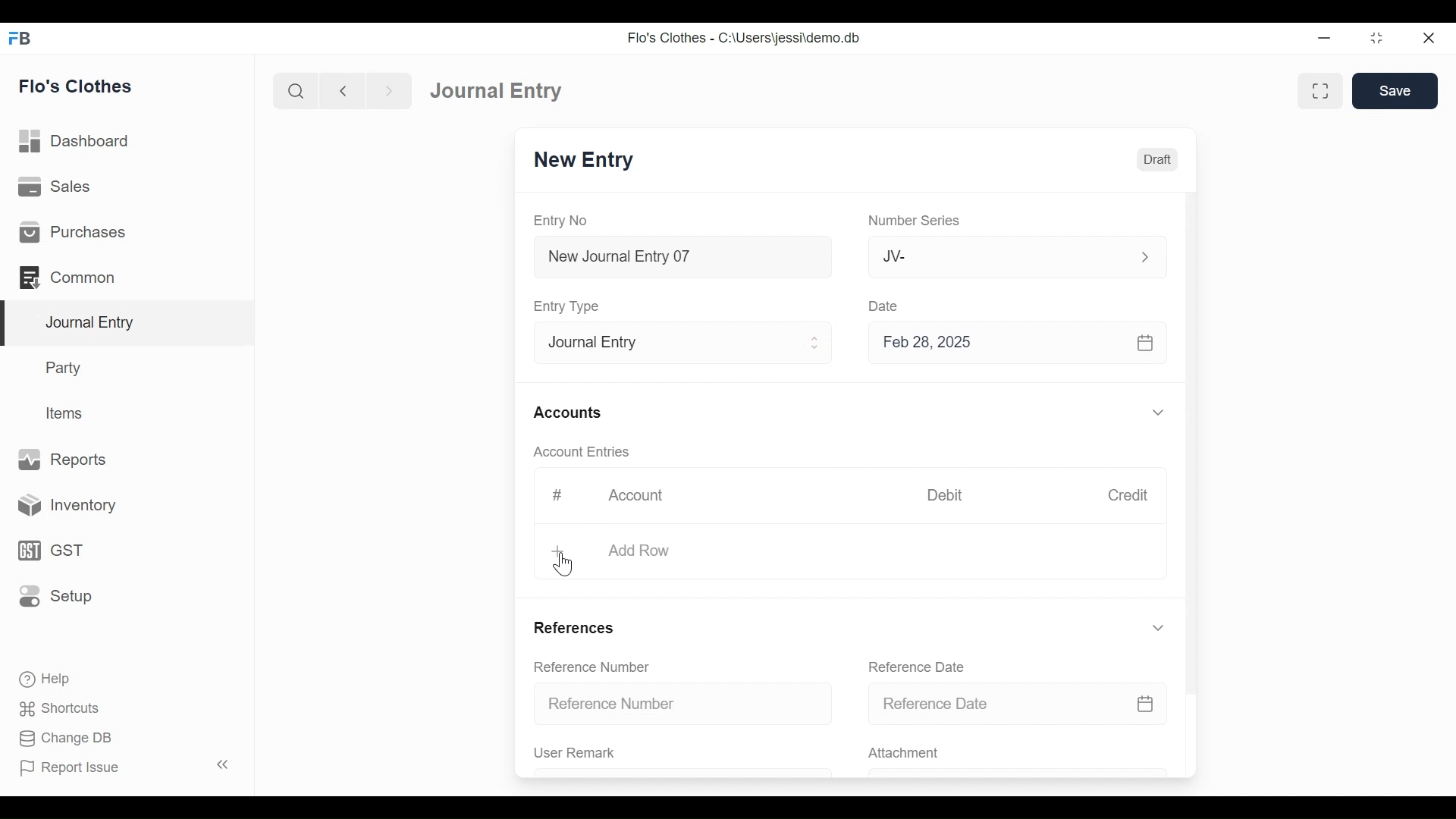  Describe the element at coordinates (64, 736) in the screenshot. I see `Change DB` at that location.